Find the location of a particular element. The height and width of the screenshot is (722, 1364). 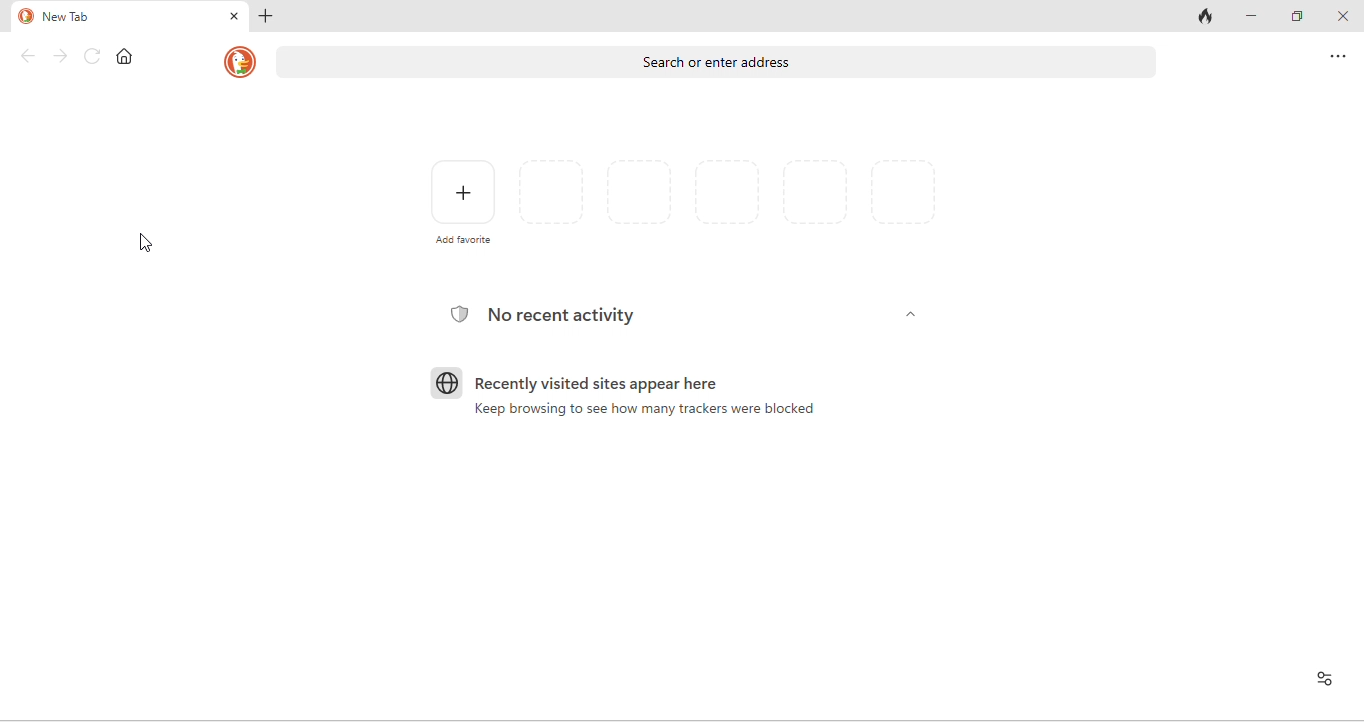

home is located at coordinates (124, 57).